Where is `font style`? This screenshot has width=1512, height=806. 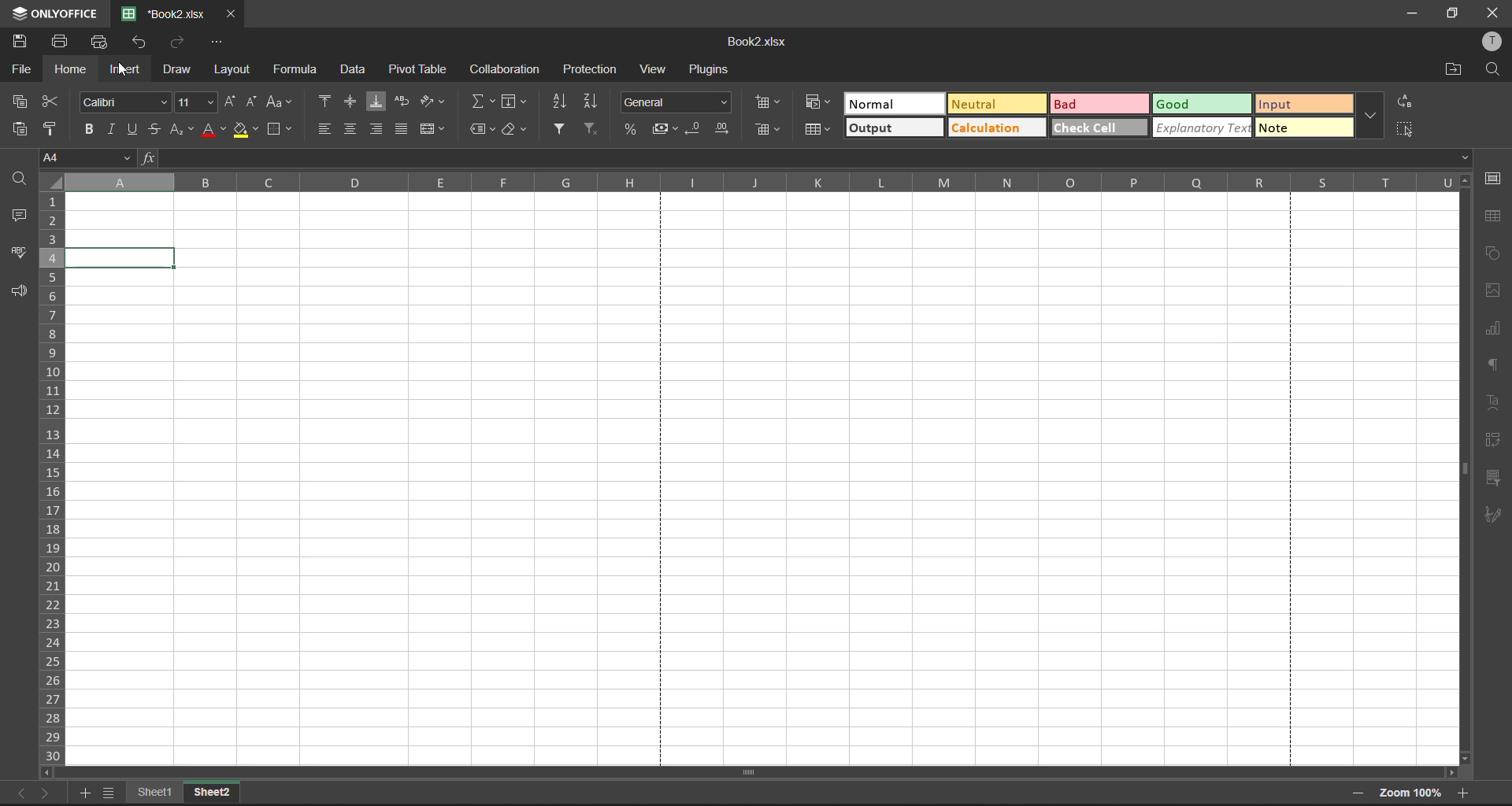
font style is located at coordinates (123, 102).